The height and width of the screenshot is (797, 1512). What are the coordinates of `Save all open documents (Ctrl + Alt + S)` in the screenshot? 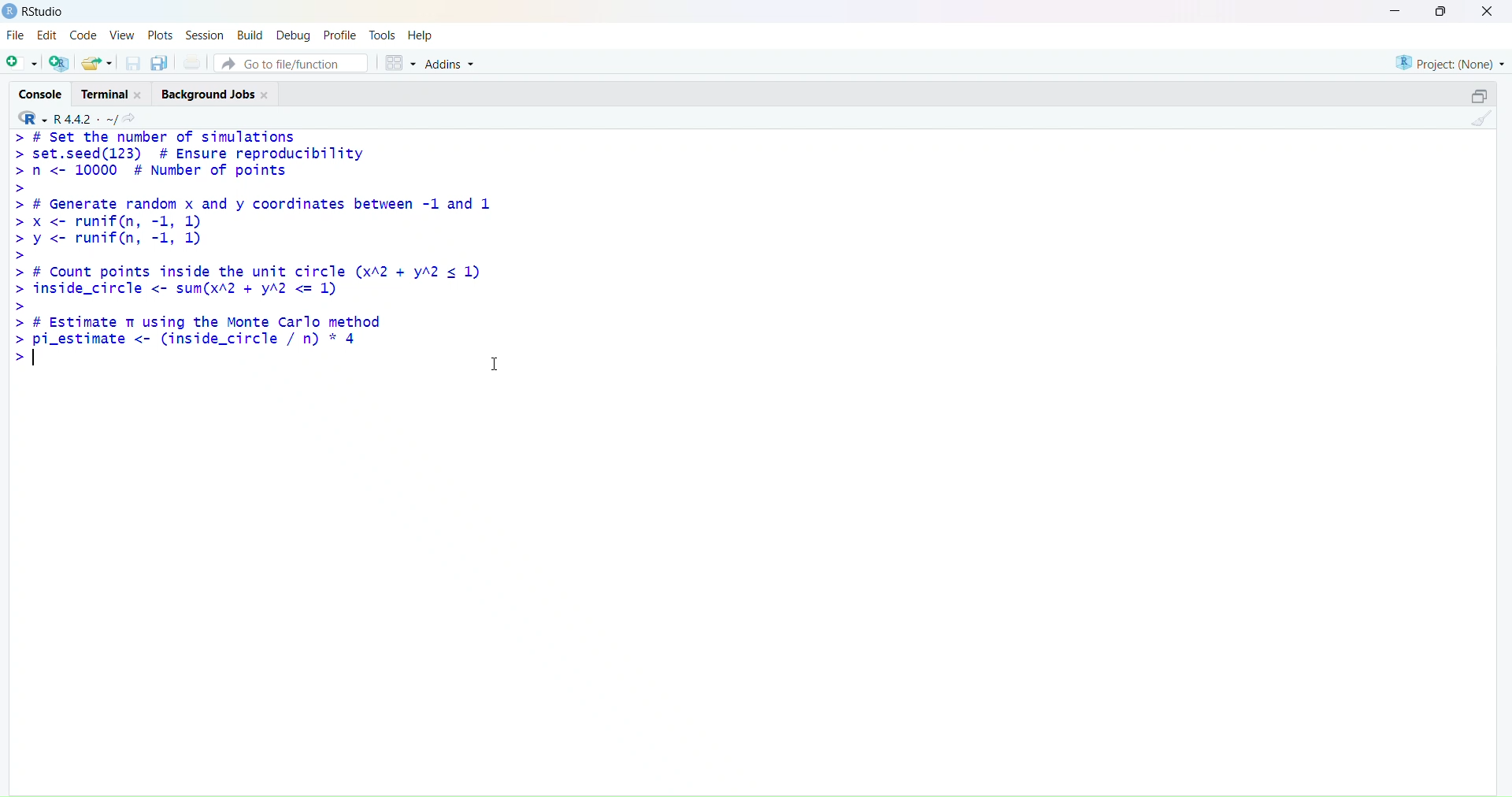 It's located at (161, 61).